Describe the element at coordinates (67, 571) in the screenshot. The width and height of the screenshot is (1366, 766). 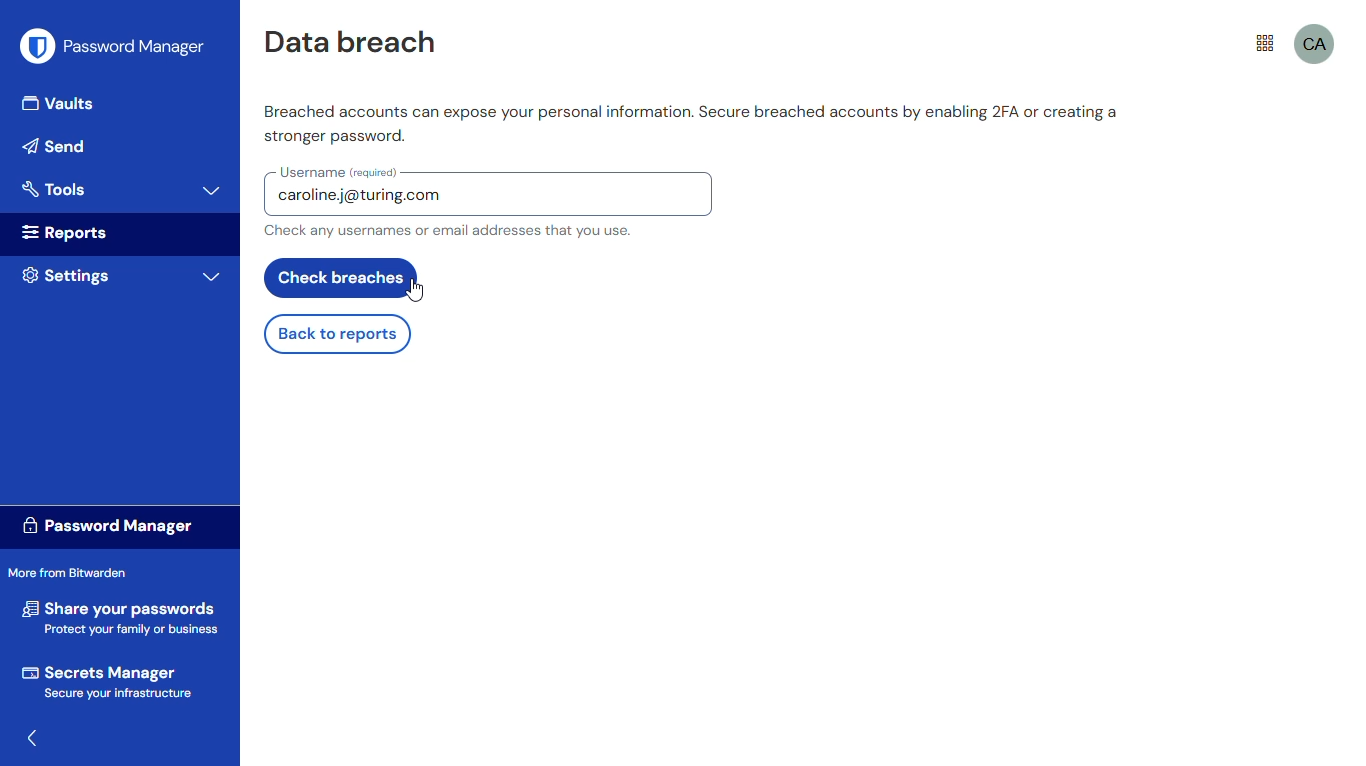
I see `more from bitwarden` at that location.